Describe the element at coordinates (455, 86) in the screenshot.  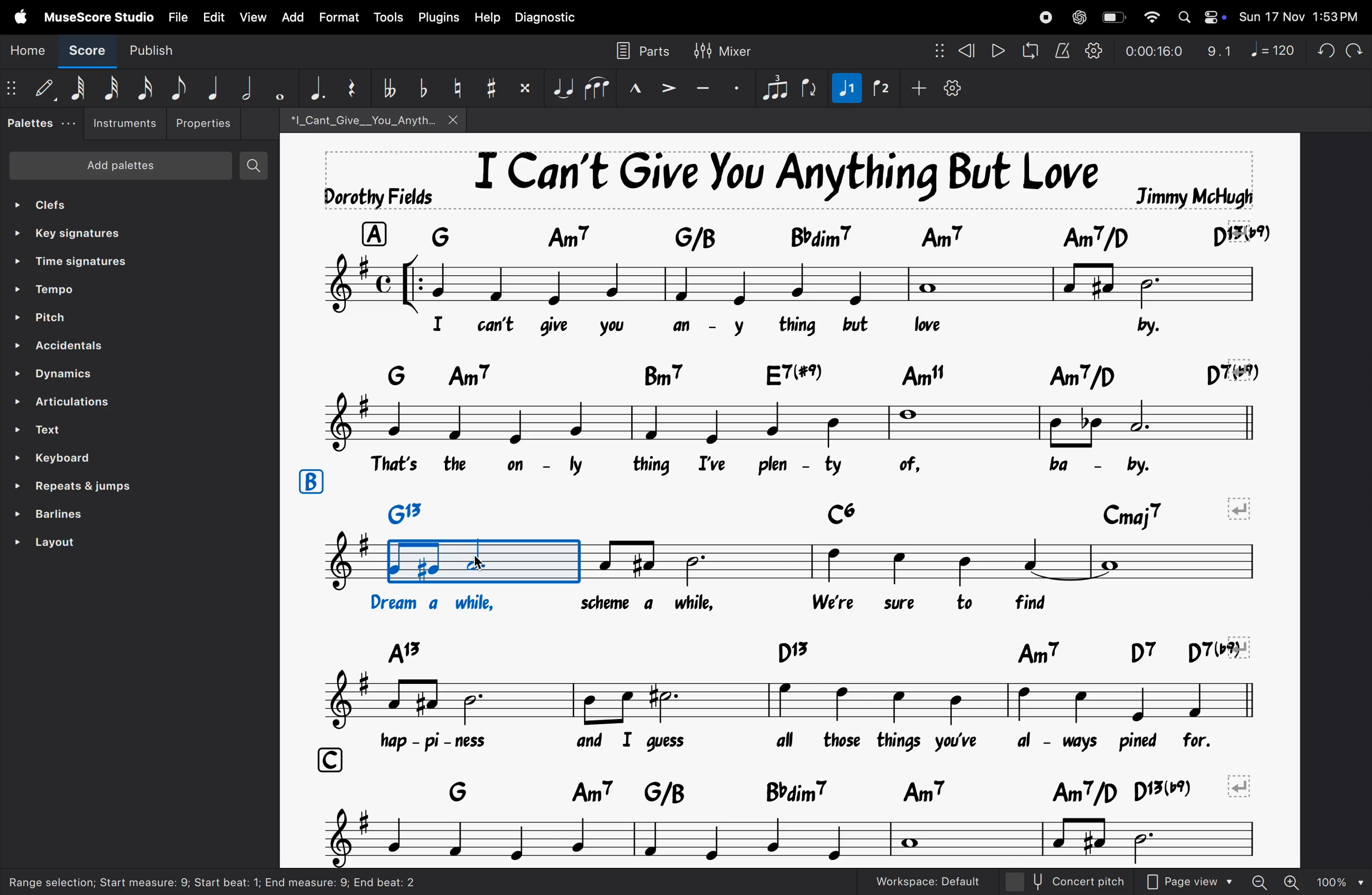
I see `toggle natural` at that location.